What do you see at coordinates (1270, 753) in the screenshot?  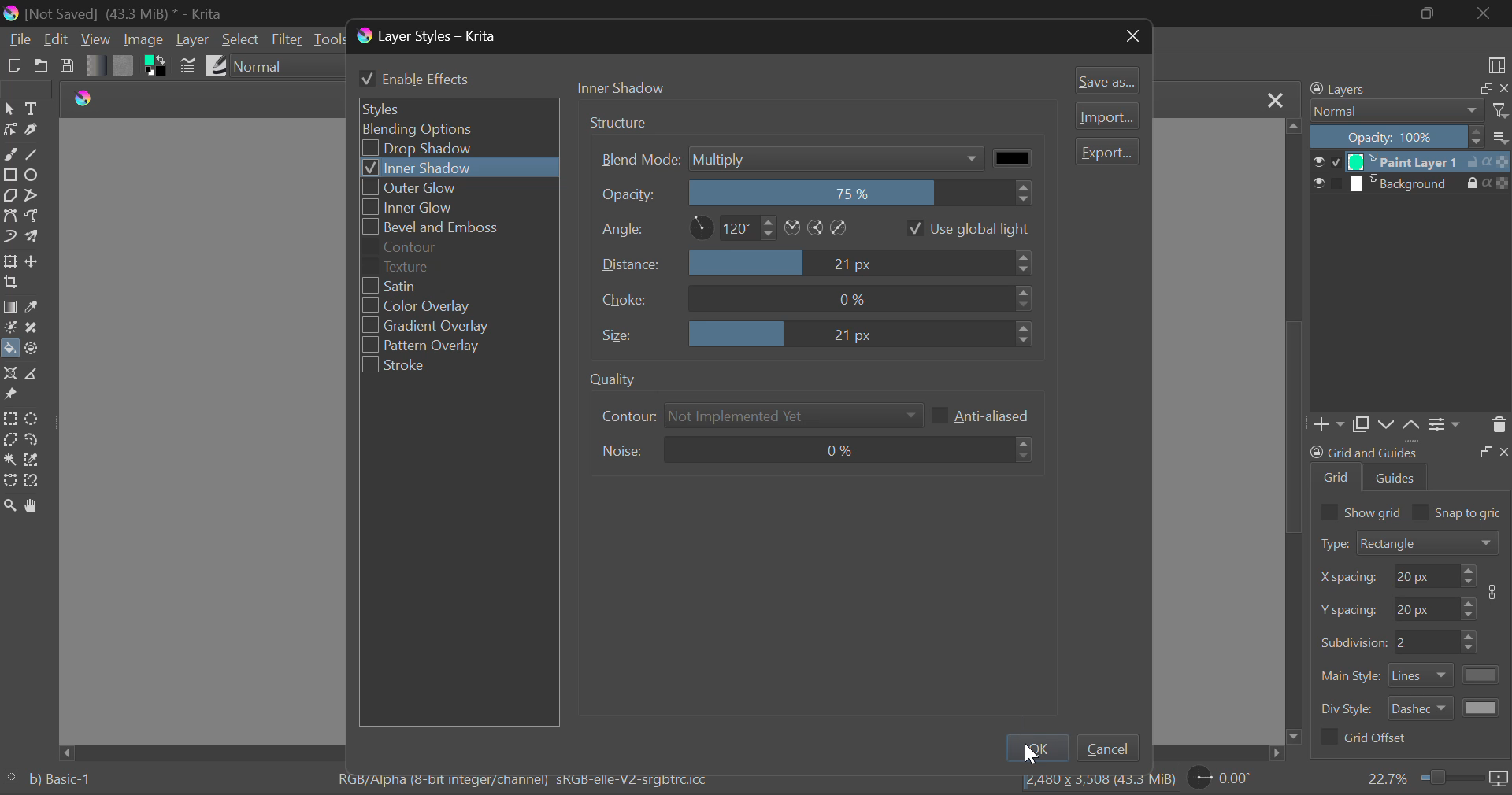 I see `move right` at bounding box center [1270, 753].